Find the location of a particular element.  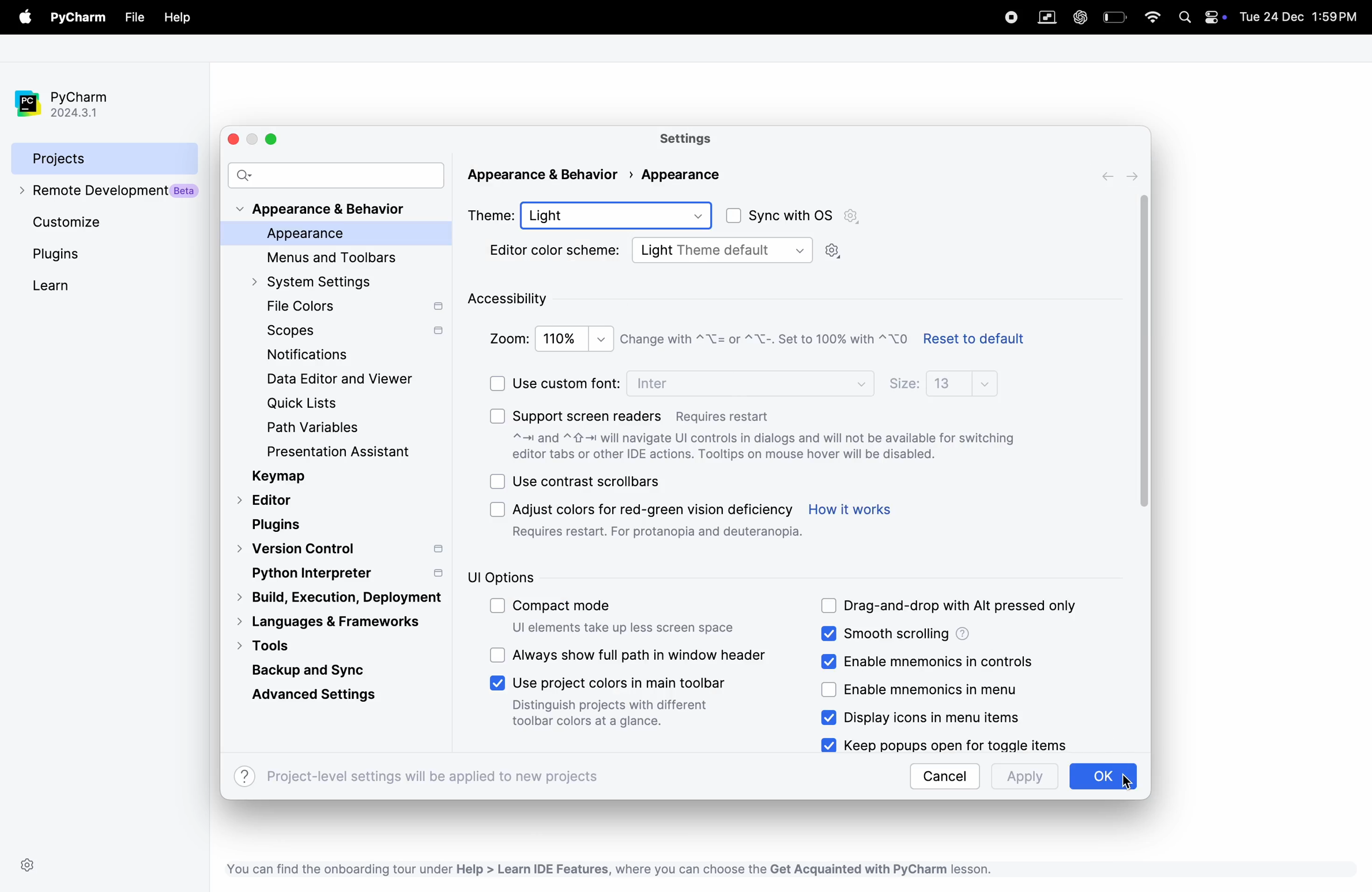

cursor is located at coordinates (1147, 349).